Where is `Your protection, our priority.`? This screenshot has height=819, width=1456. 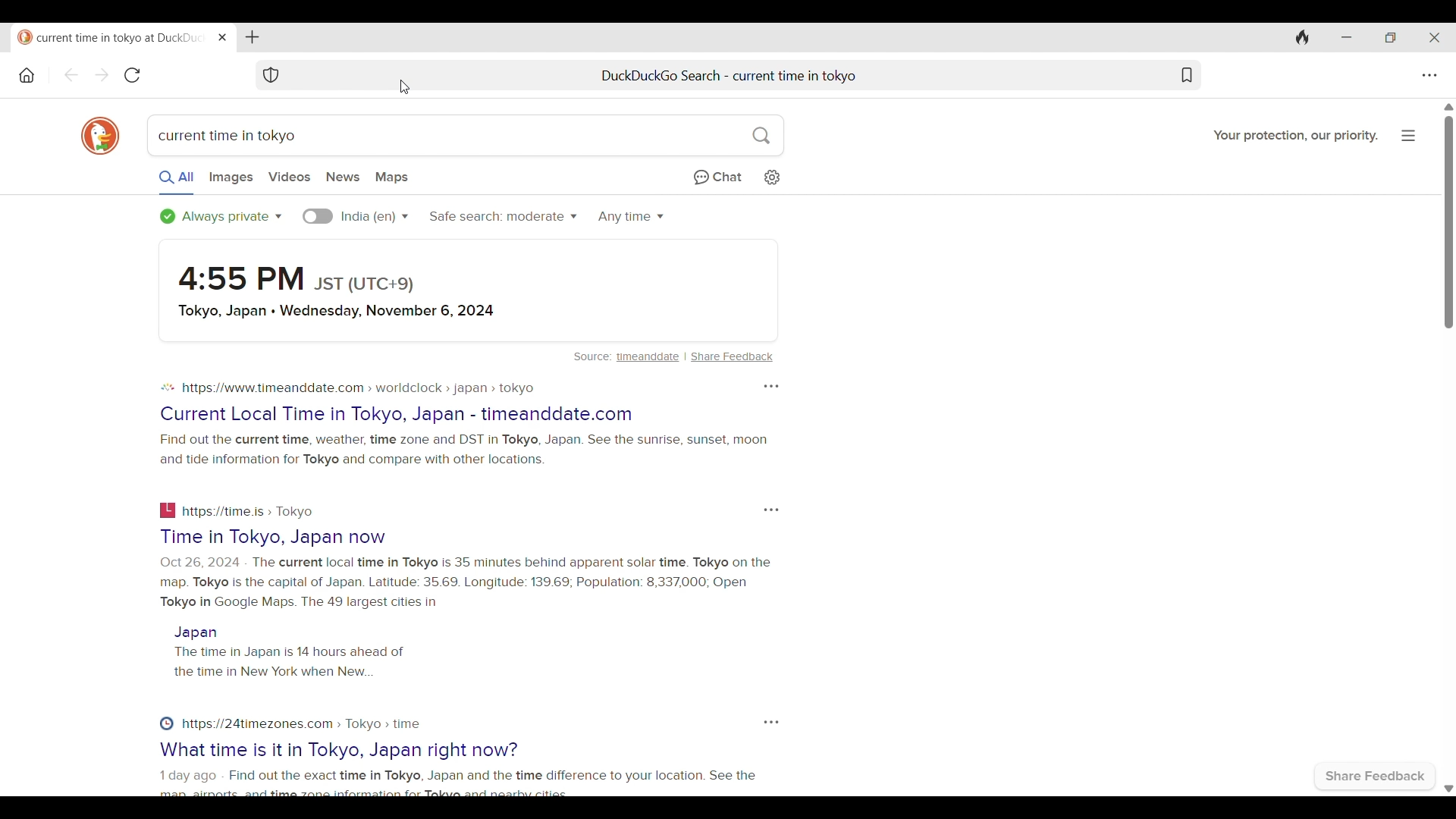
Your protection, our priority. is located at coordinates (1295, 136).